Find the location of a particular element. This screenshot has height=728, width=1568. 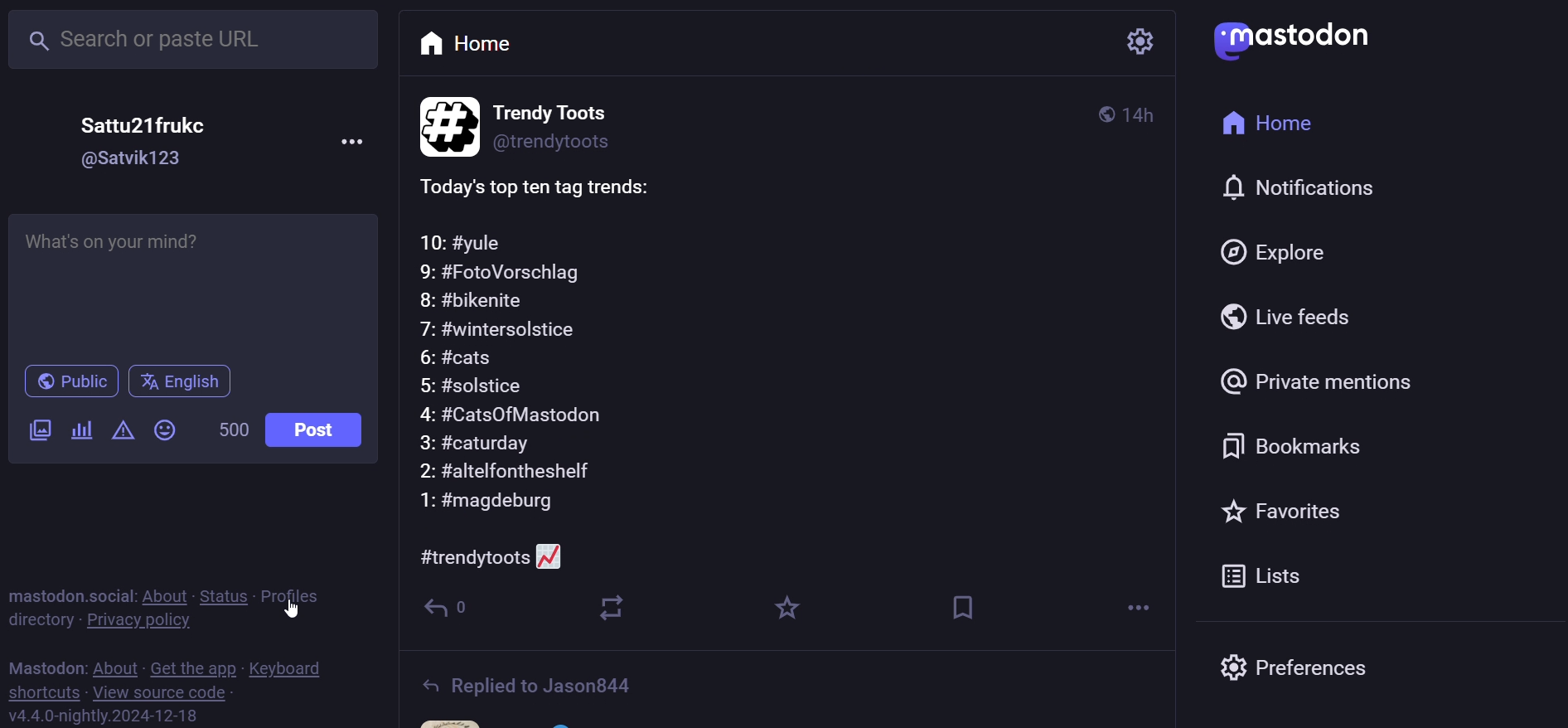

v4.4.0-nightly.2024-12-18 is located at coordinates (108, 716).